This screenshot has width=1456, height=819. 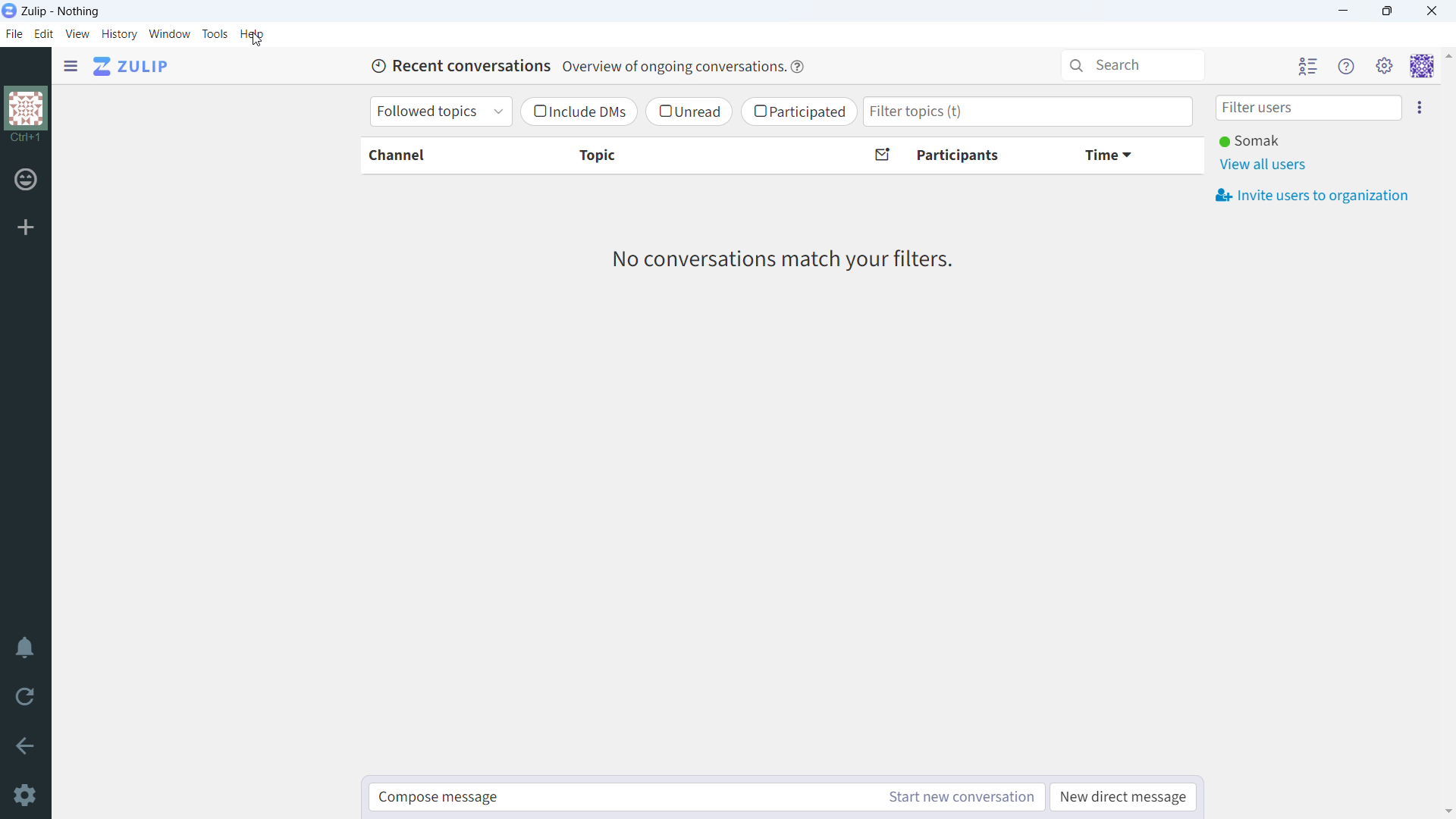 What do you see at coordinates (24, 695) in the screenshot?
I see `reload` at bounding box center [24, 695].